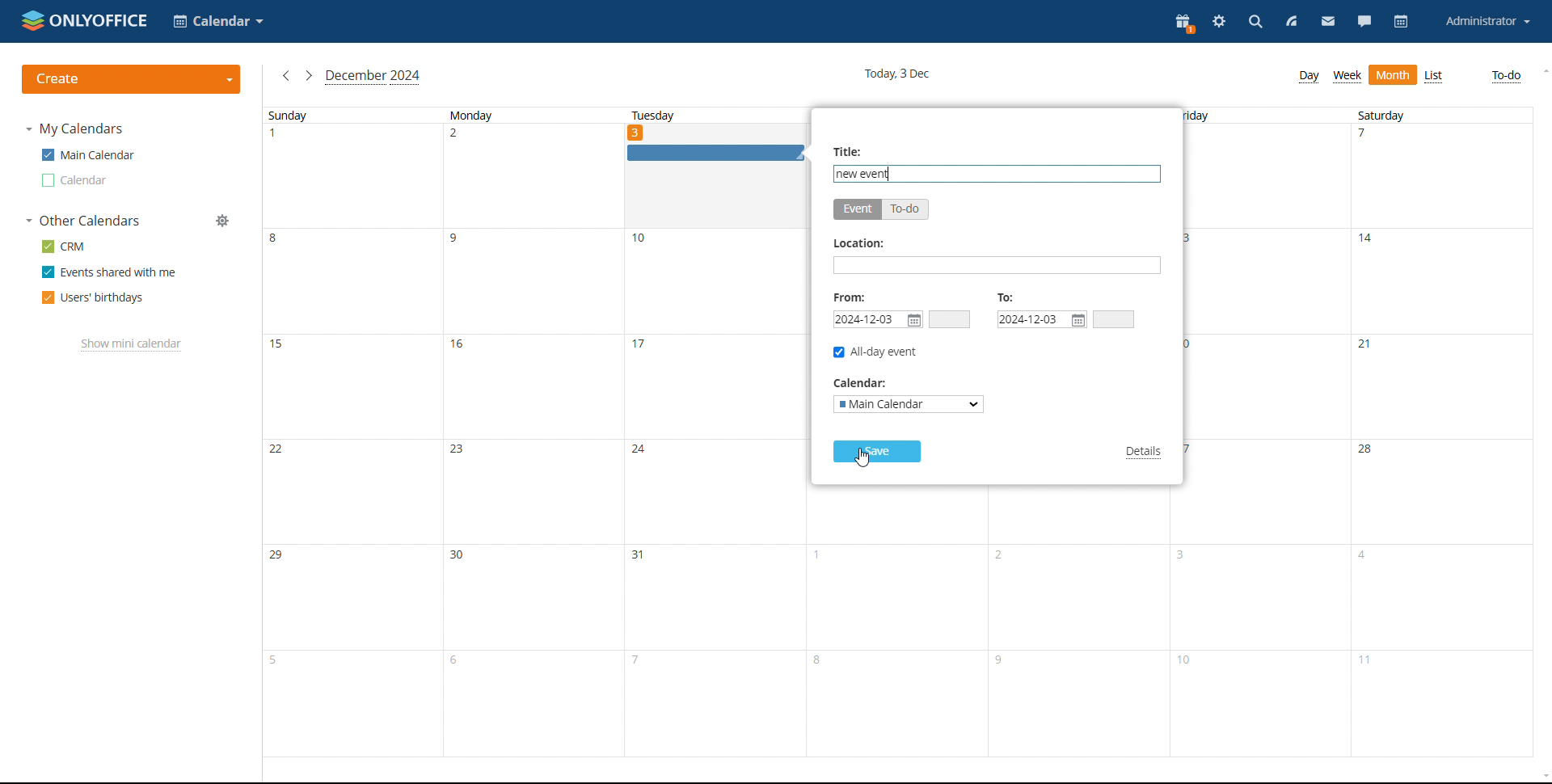 This screenshot has height=784, width=1552. What do you see at coordinates (852, 150) in the screenshot?
I see `title:` at bounding box center [852, 150].